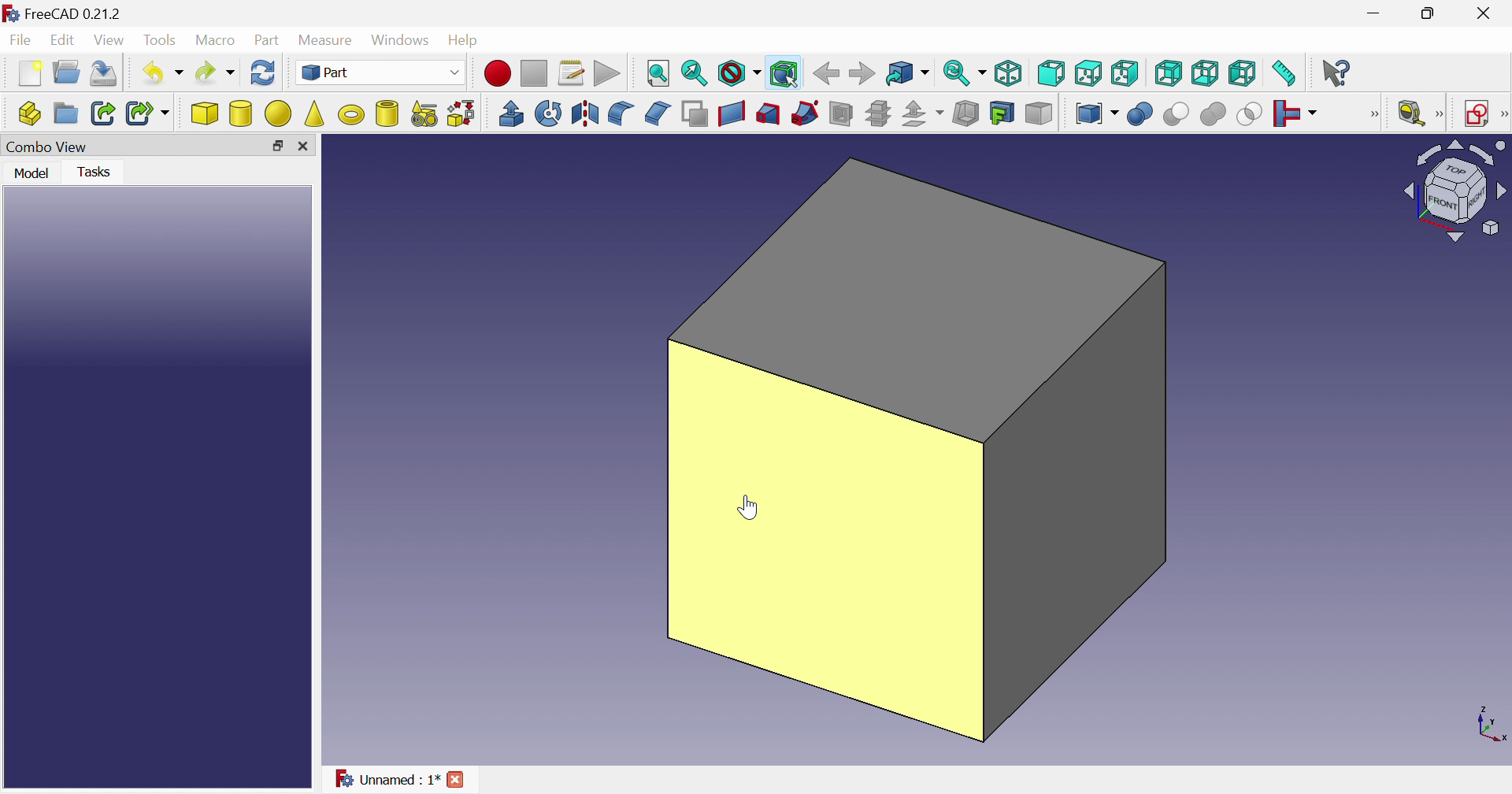  Describe the element at coordinates (1167, 72) in the screenshot. I see `Rear` at that location.